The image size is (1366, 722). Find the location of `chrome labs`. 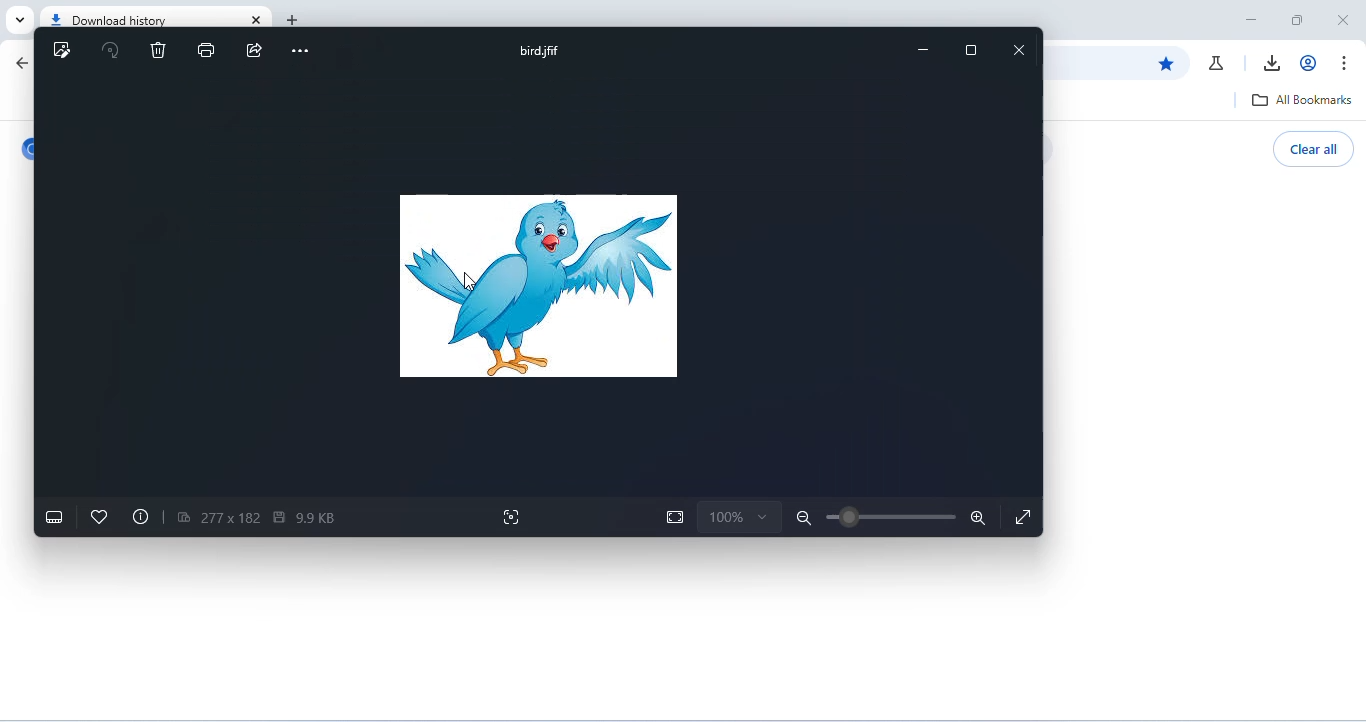

chrome labs is located at coordinates (1218, 63).